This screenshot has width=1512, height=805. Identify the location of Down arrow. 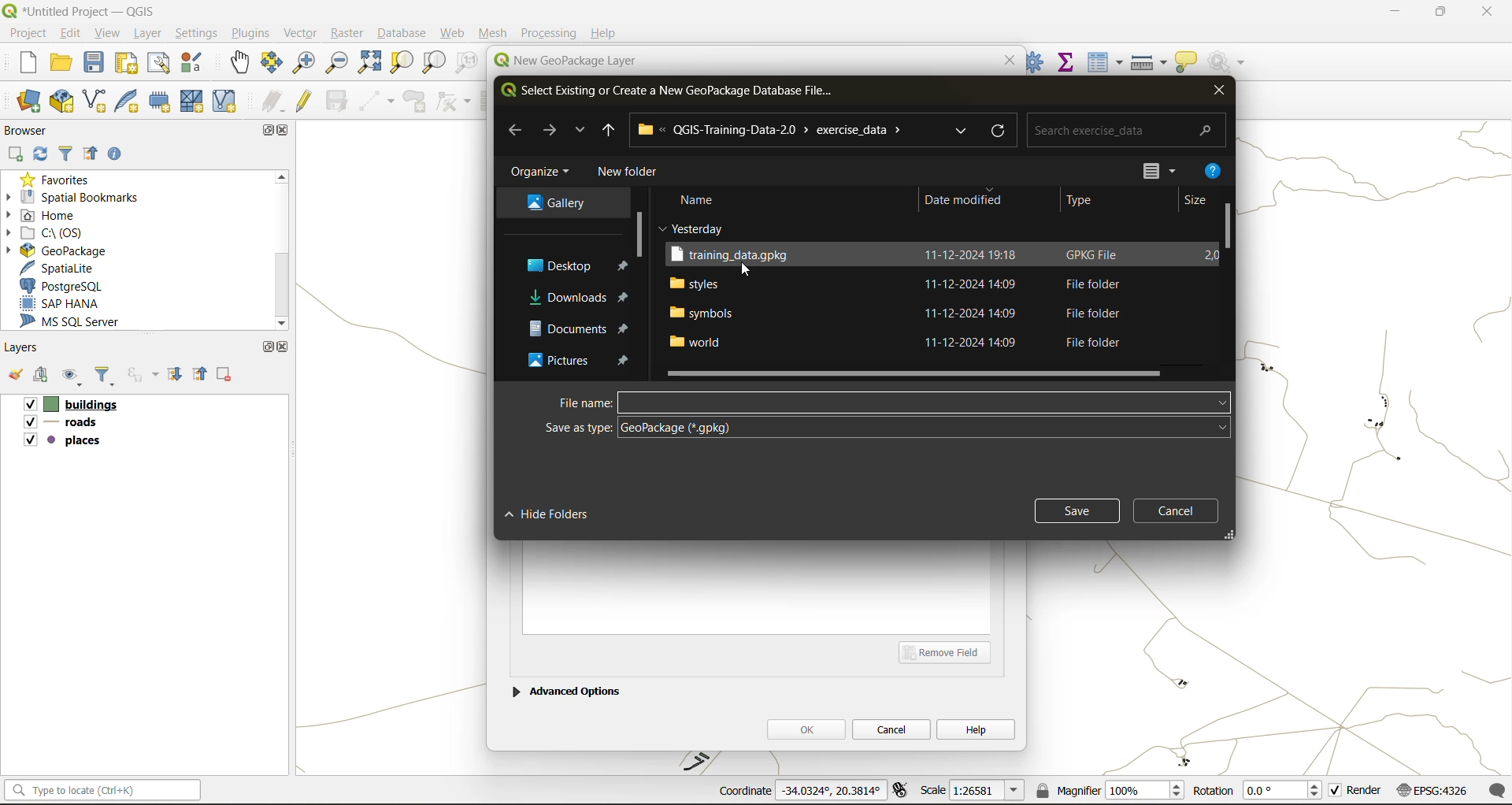
(579, 130).